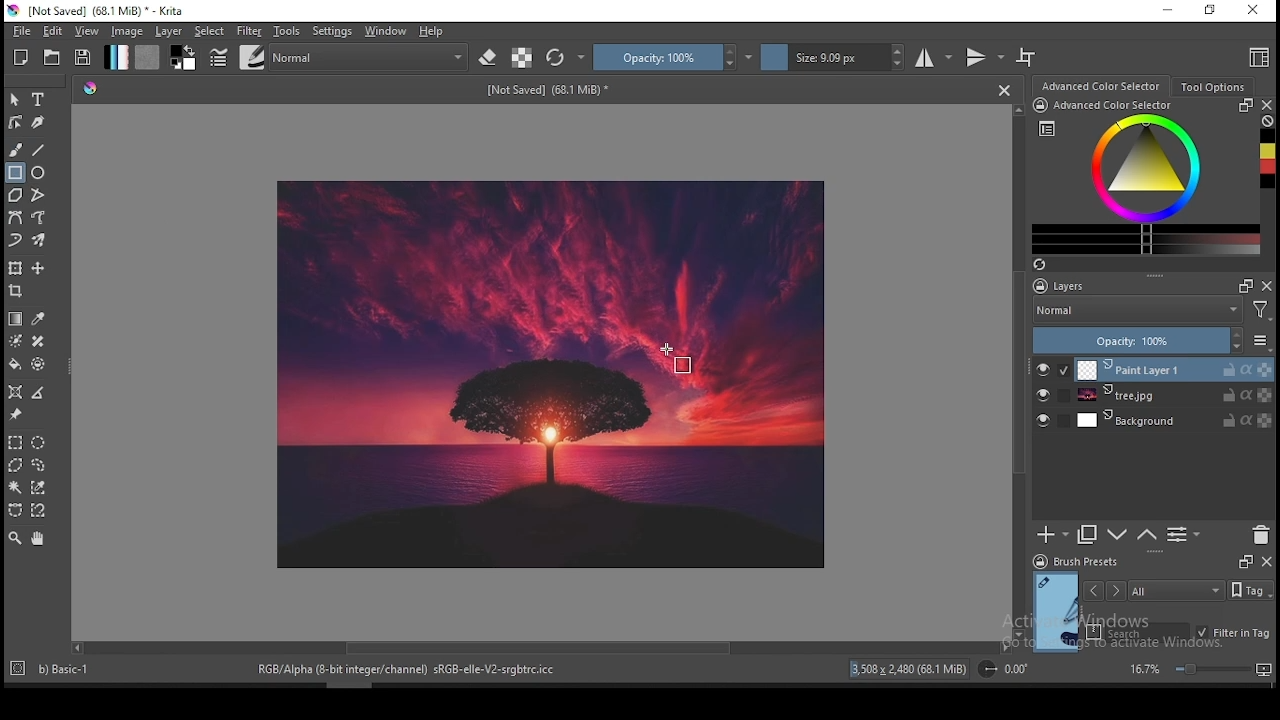 The image size is (1280, 720). Describe the element at coordinates (432, 32) in the screenshot. I see `help` at that location.